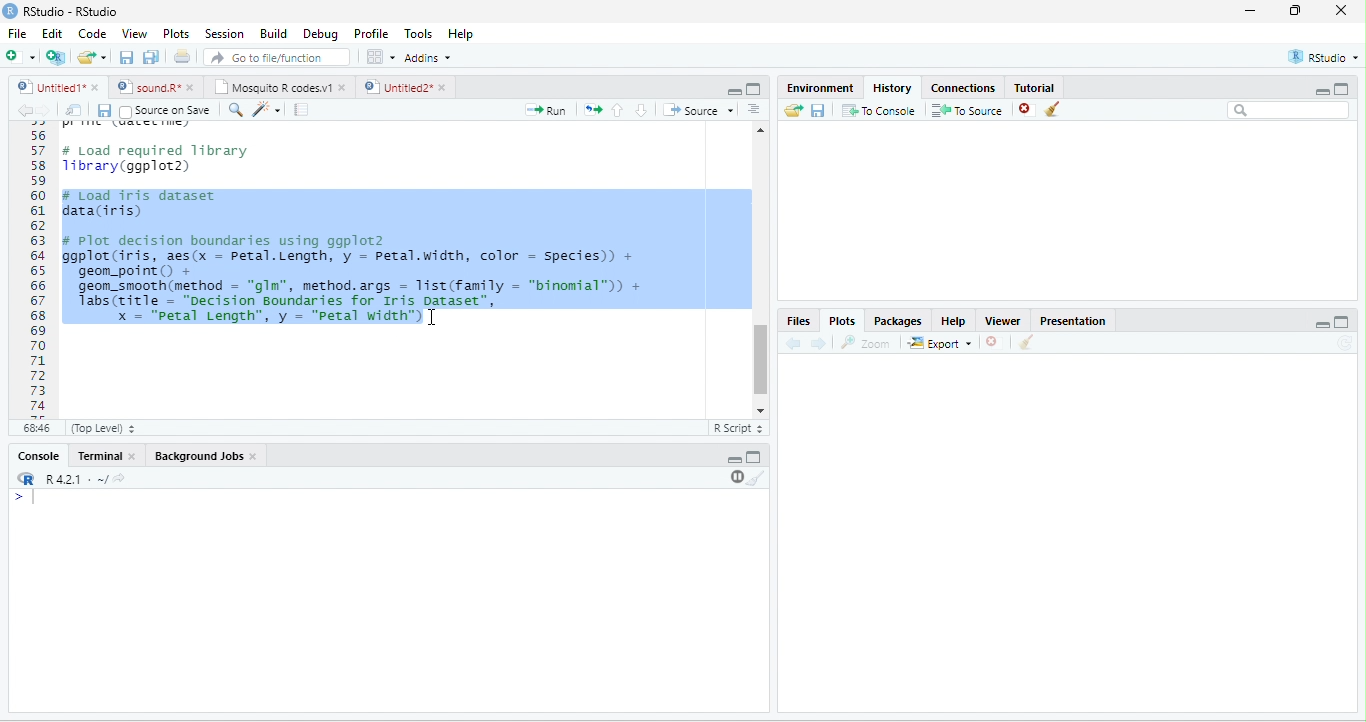 The image size is (1366, 722). Describe the element at coordinates (445, 87) in the screenshot. I see `close` at that location.